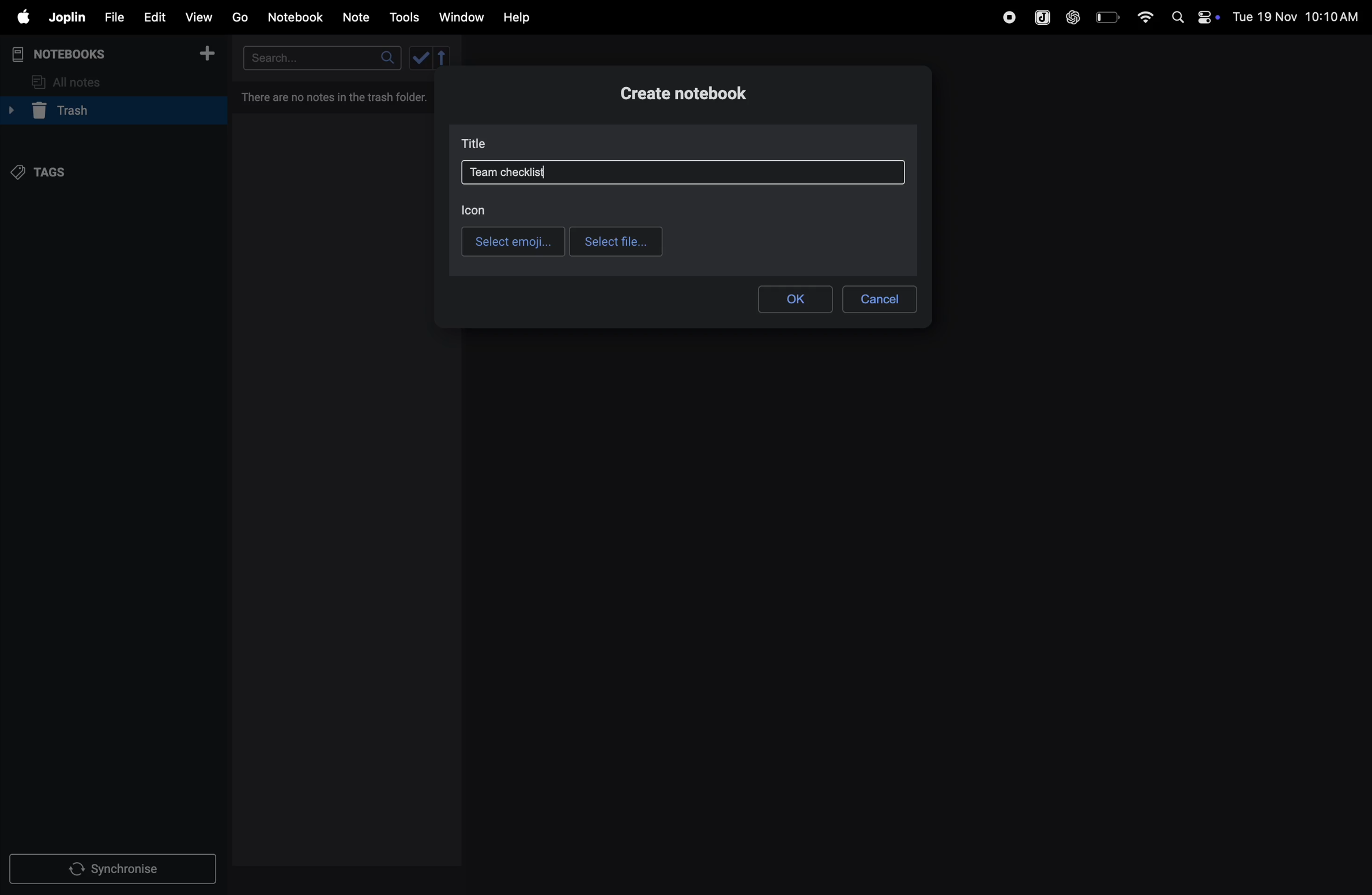 Image resolution: width=1372 pixels, height=895 pixels. Describe the element at coordinates (1106, 17) in the screenshot. I see `battery` at that location.